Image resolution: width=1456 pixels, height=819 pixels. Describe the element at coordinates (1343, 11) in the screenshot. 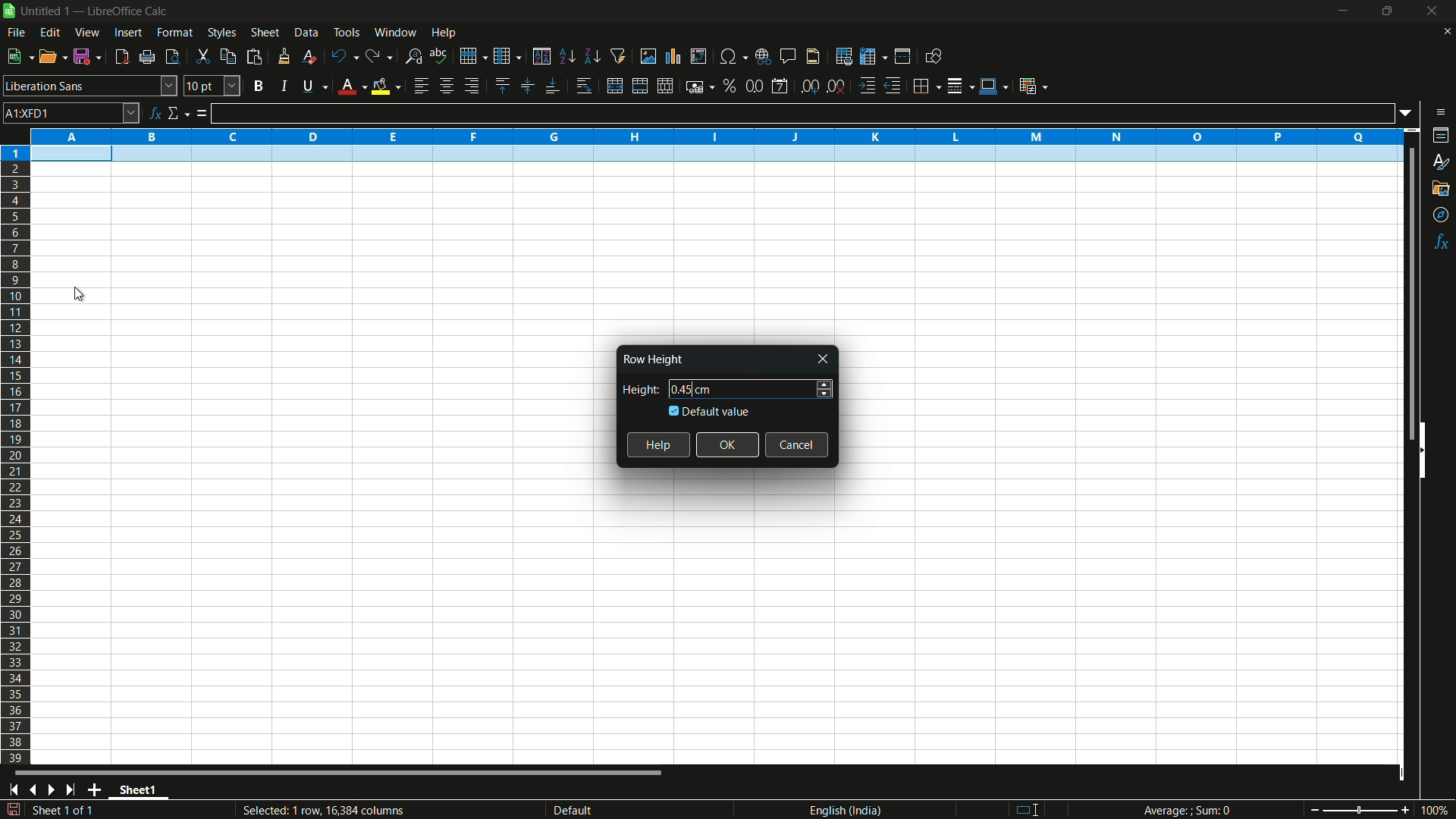

I see `minimize` at that location.